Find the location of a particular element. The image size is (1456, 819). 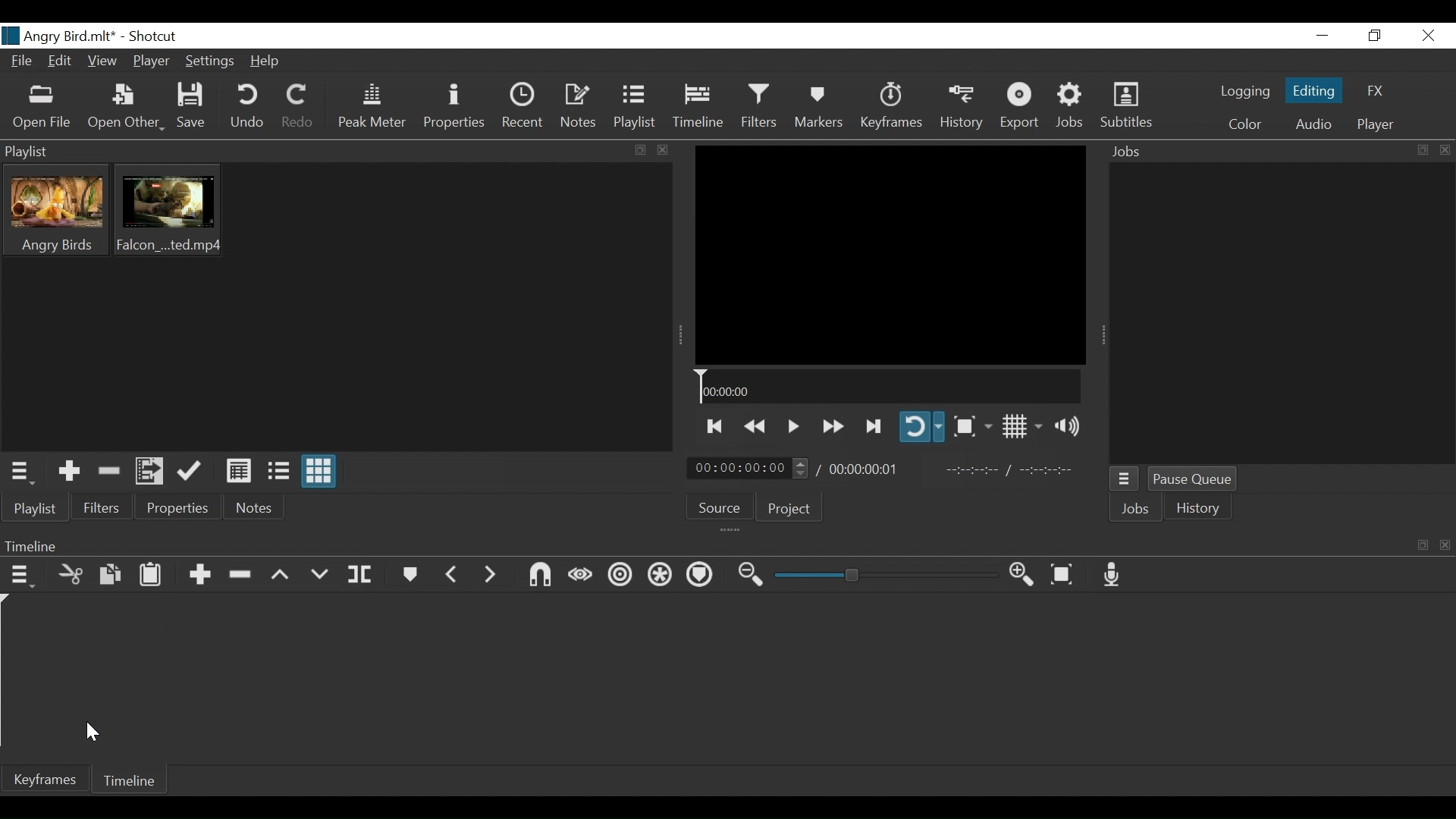

Player is located at coordinates (151, 61).